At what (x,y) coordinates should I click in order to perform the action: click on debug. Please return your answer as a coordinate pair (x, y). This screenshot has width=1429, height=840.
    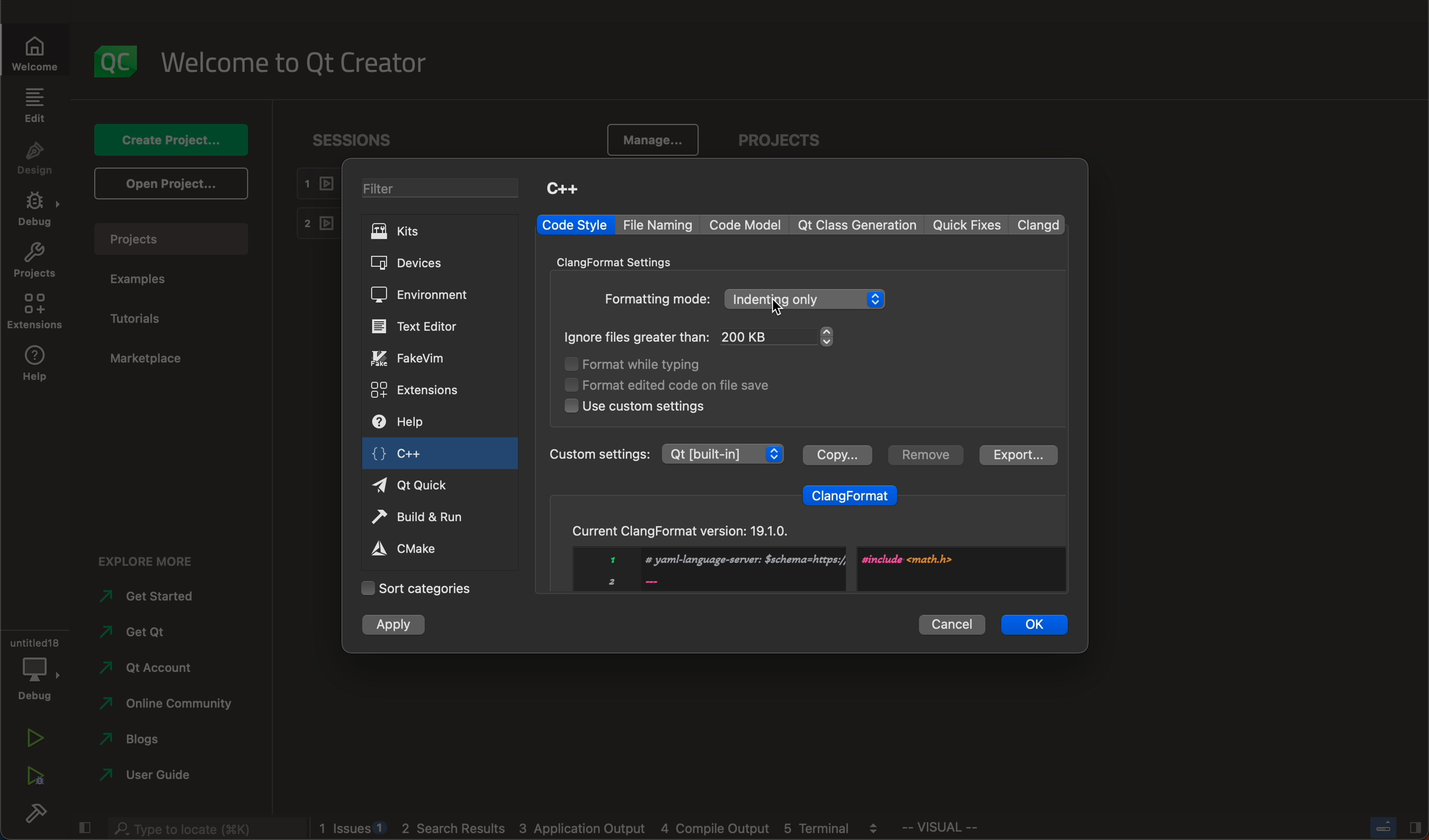
    Looking at the image, I should click on (33, 667).